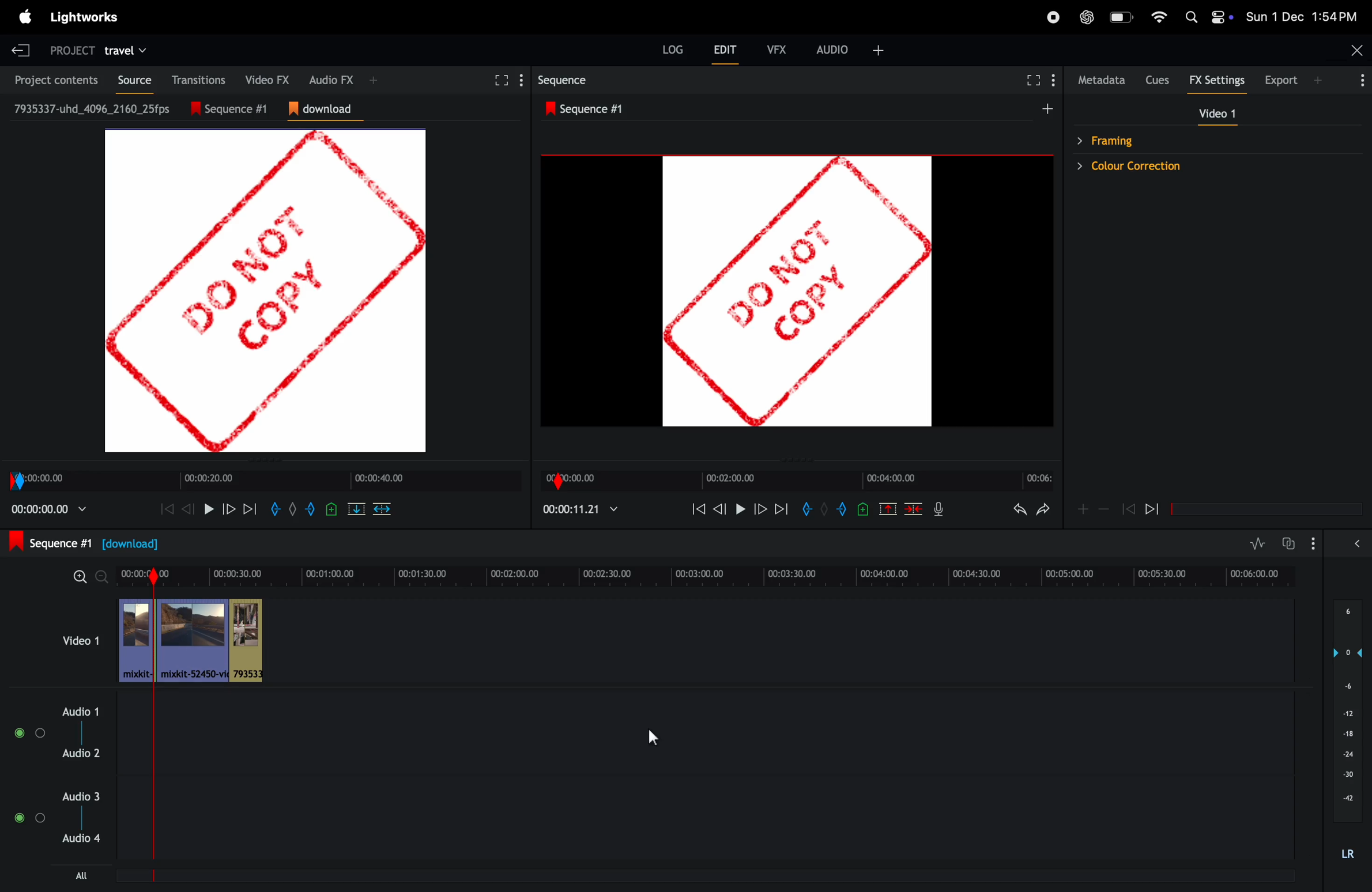 Image resolution: width=1372 pixels, height=892 pixels. What do you see at coordinates (1104, 508) in the screenshot?
I see `zoom in zoom out` at bounding box center [1104, 508].